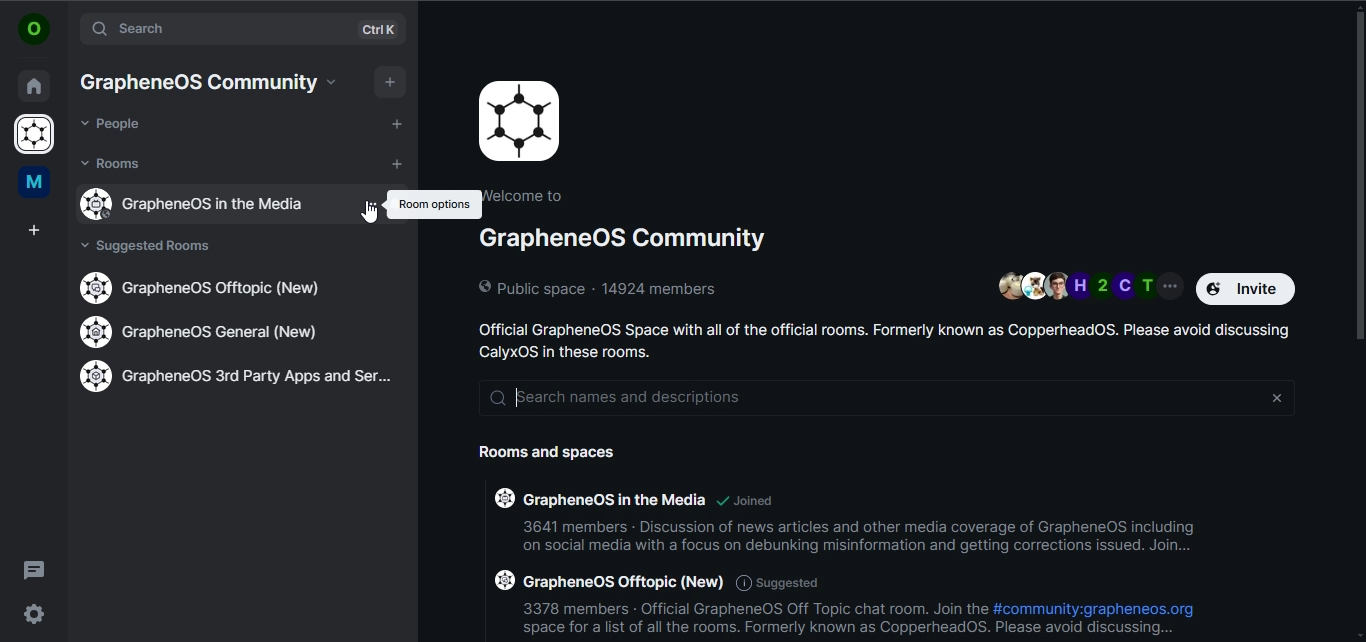 This screenshot has width=1366, height=642. I want to click on search, so click(217, 29).